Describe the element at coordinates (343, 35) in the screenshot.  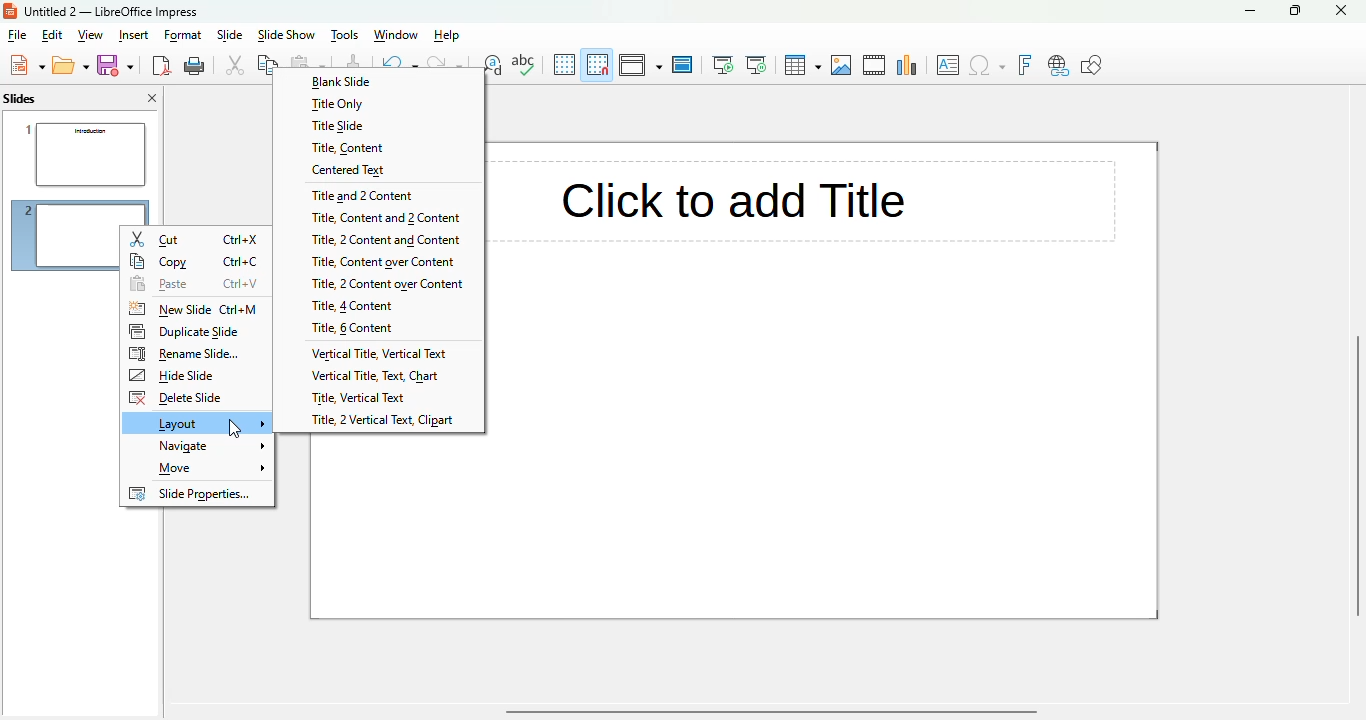
I see `tools` at that location.